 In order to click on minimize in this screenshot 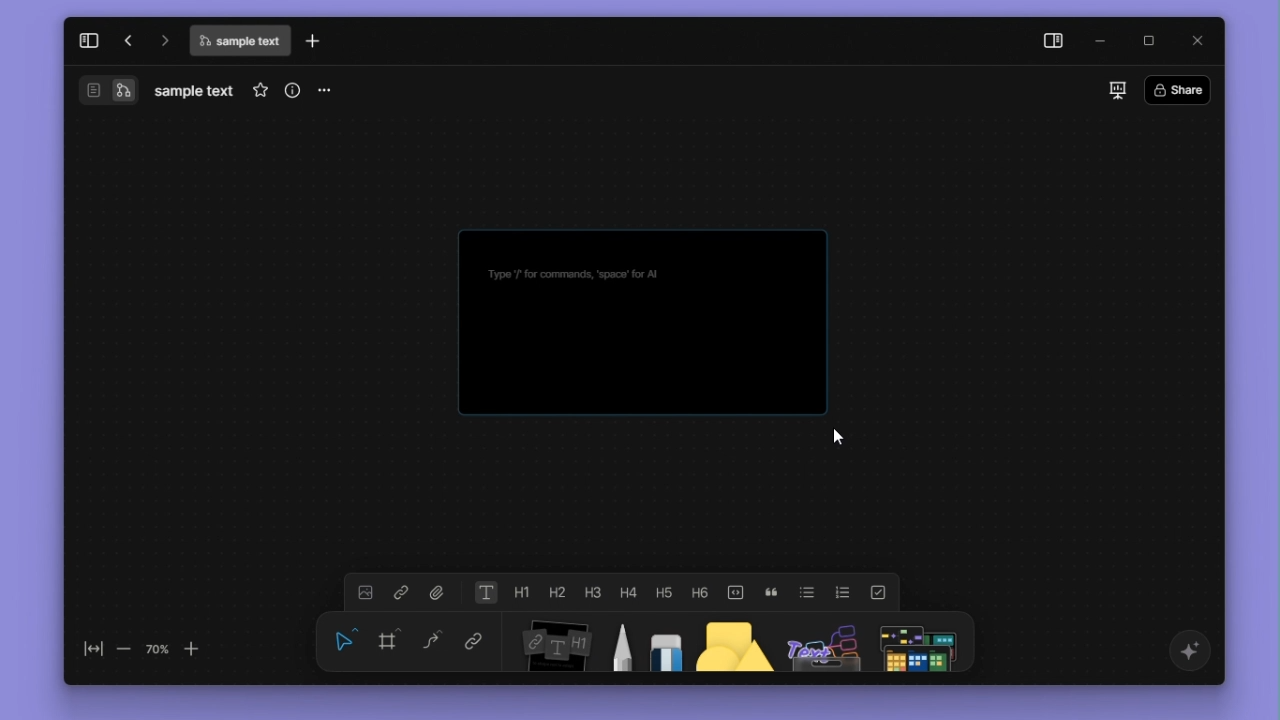, I will do `click(1105, 40)`.